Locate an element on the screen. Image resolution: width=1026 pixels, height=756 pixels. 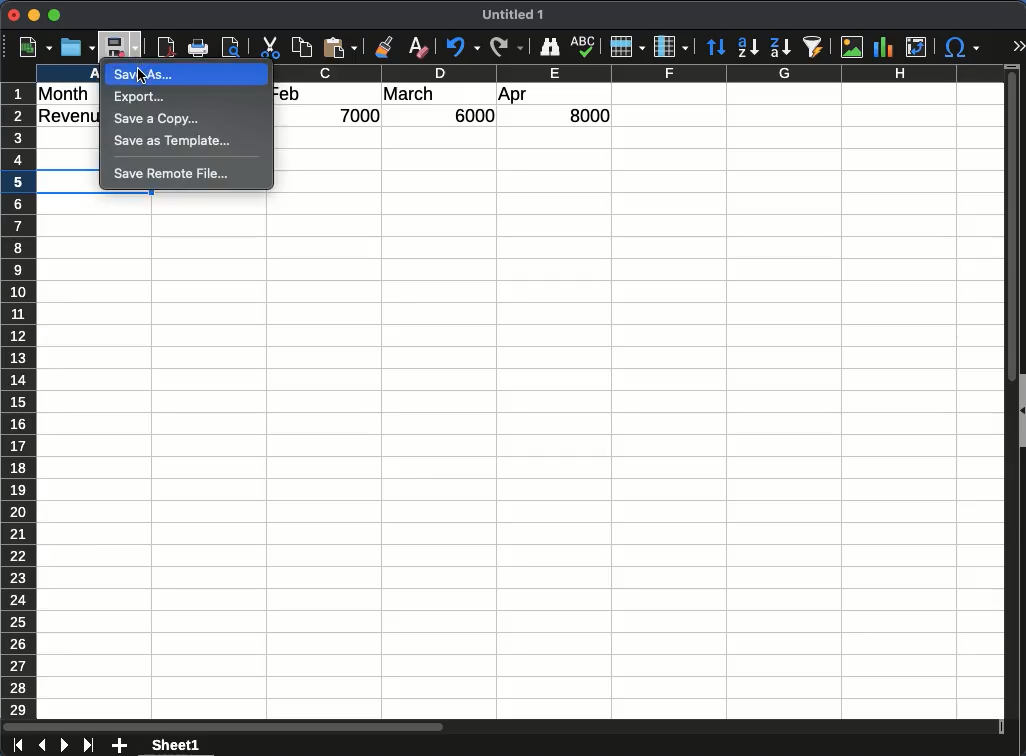
expand is located at coordinates (1018, 46).